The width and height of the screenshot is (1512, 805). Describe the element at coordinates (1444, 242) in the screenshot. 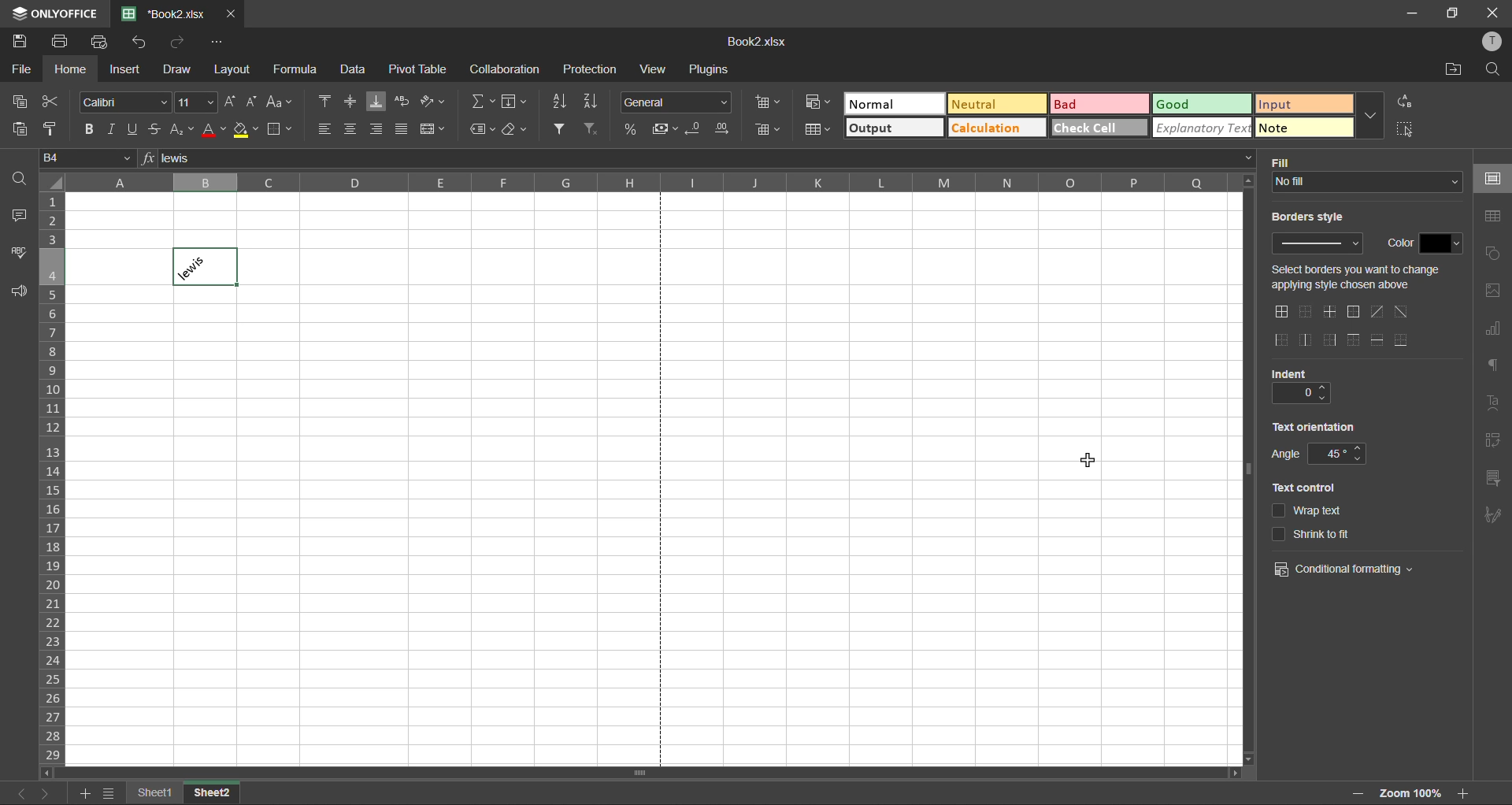

I see `change color` at that location.